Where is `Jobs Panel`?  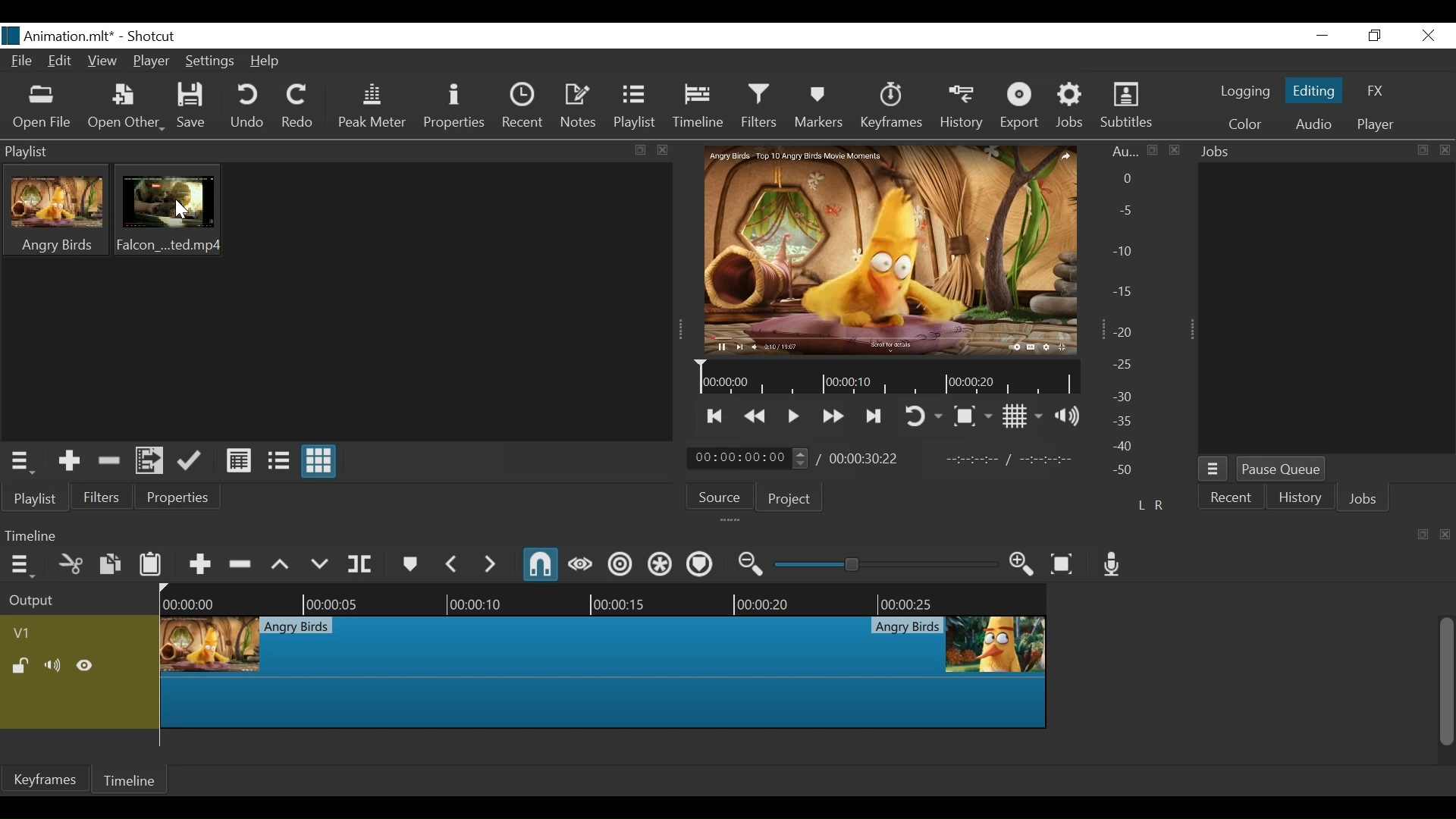 Jobs Panel is located at coordinates (1328, 311).